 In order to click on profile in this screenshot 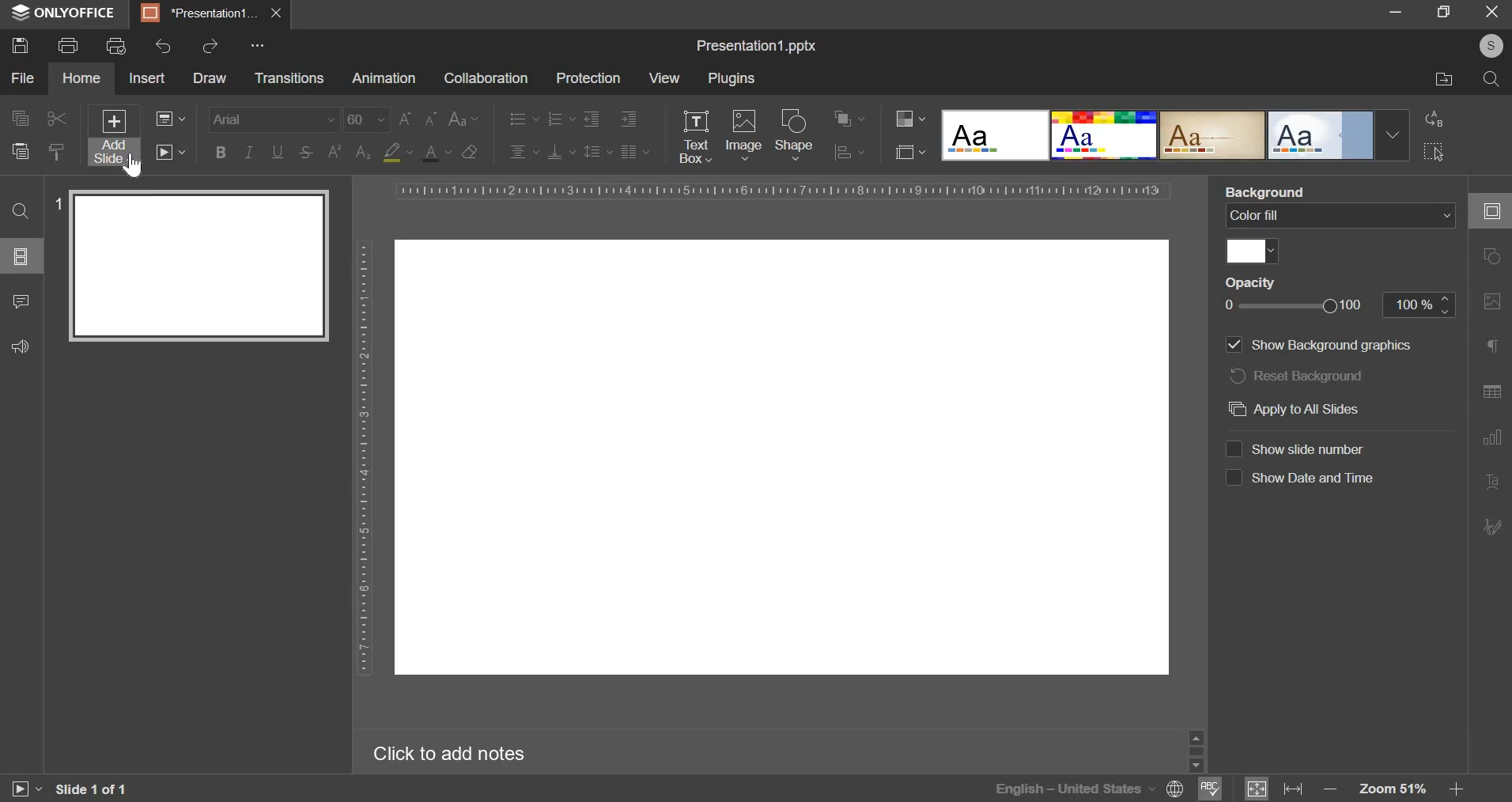, I will do `click(1487, 47)`.